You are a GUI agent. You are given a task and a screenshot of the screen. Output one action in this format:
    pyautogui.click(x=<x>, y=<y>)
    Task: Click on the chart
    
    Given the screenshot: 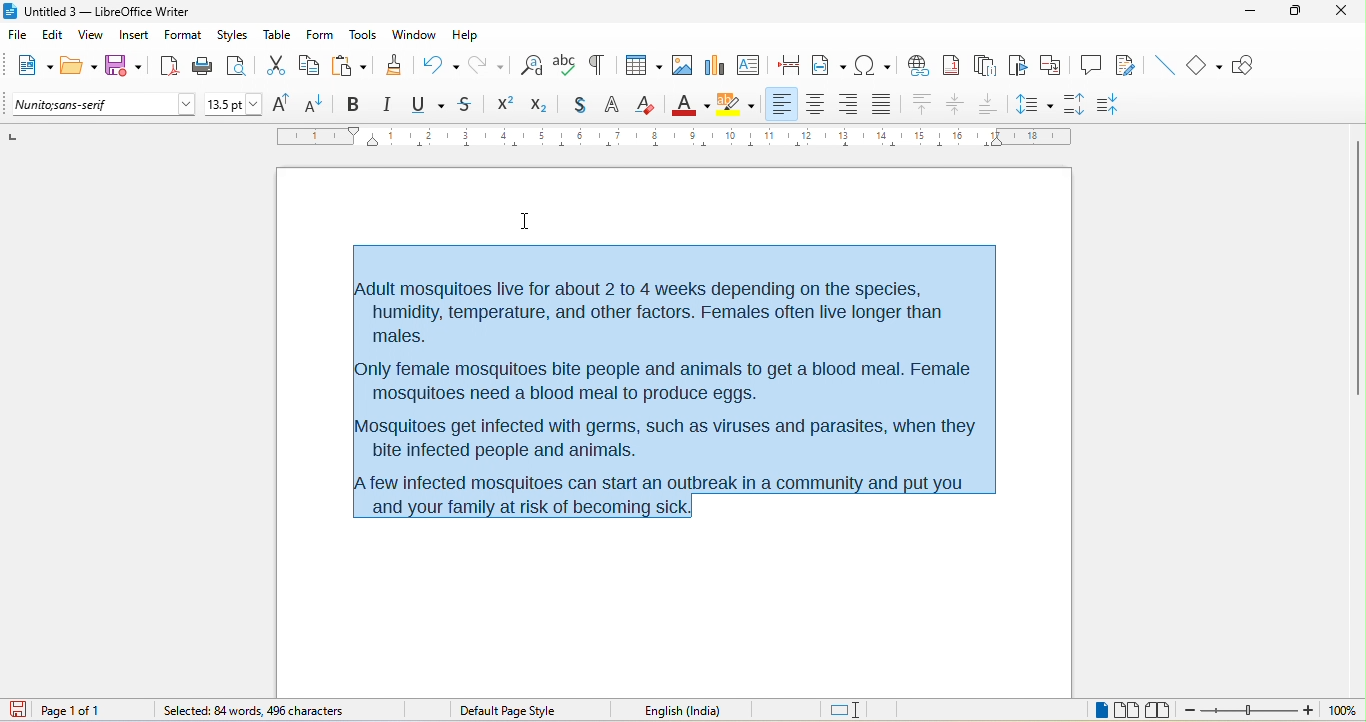 What is the action you would take?
    pyautogui.click(x=713, y=64)
    